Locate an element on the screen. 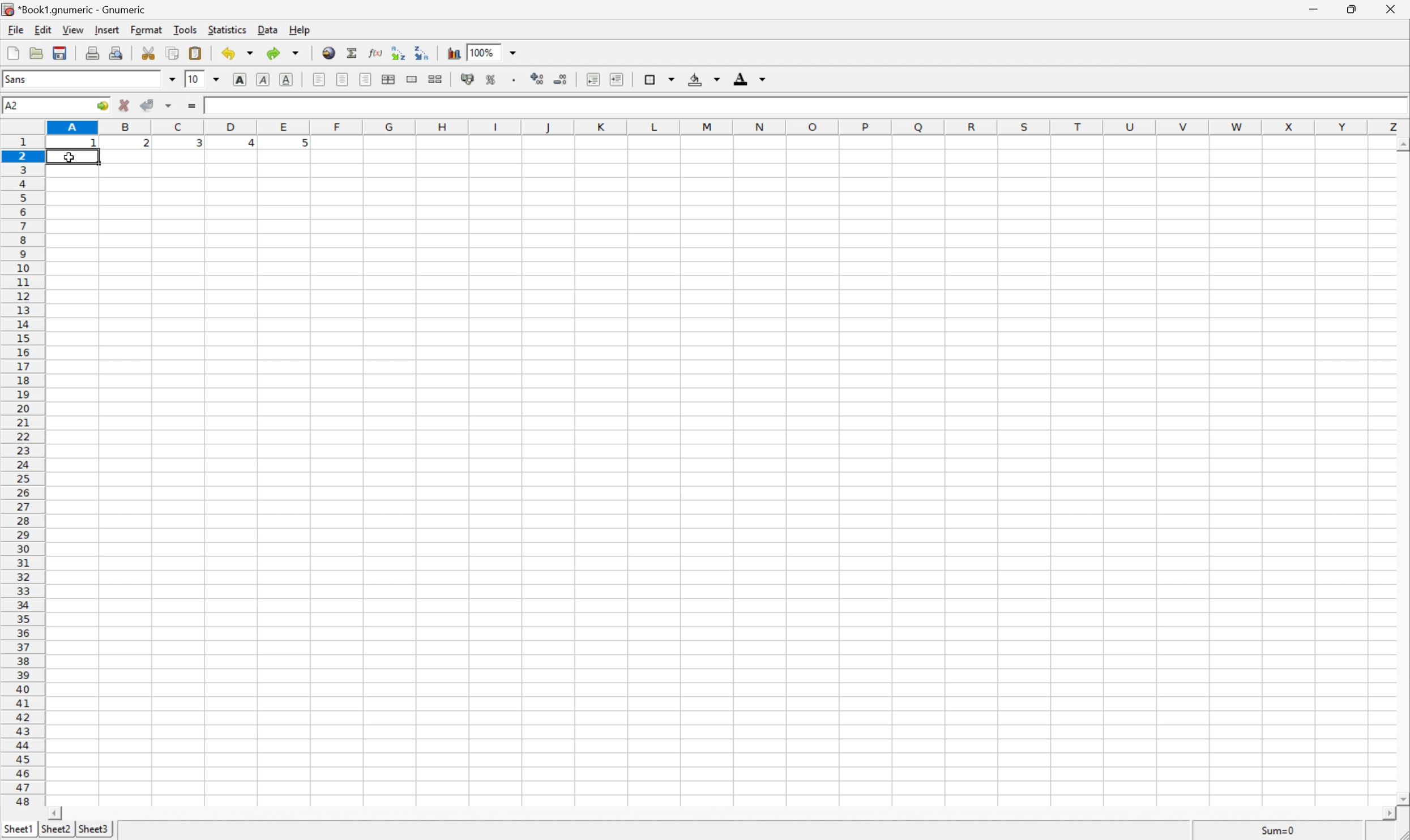  center horizontally is located at coordinates (389, 79).